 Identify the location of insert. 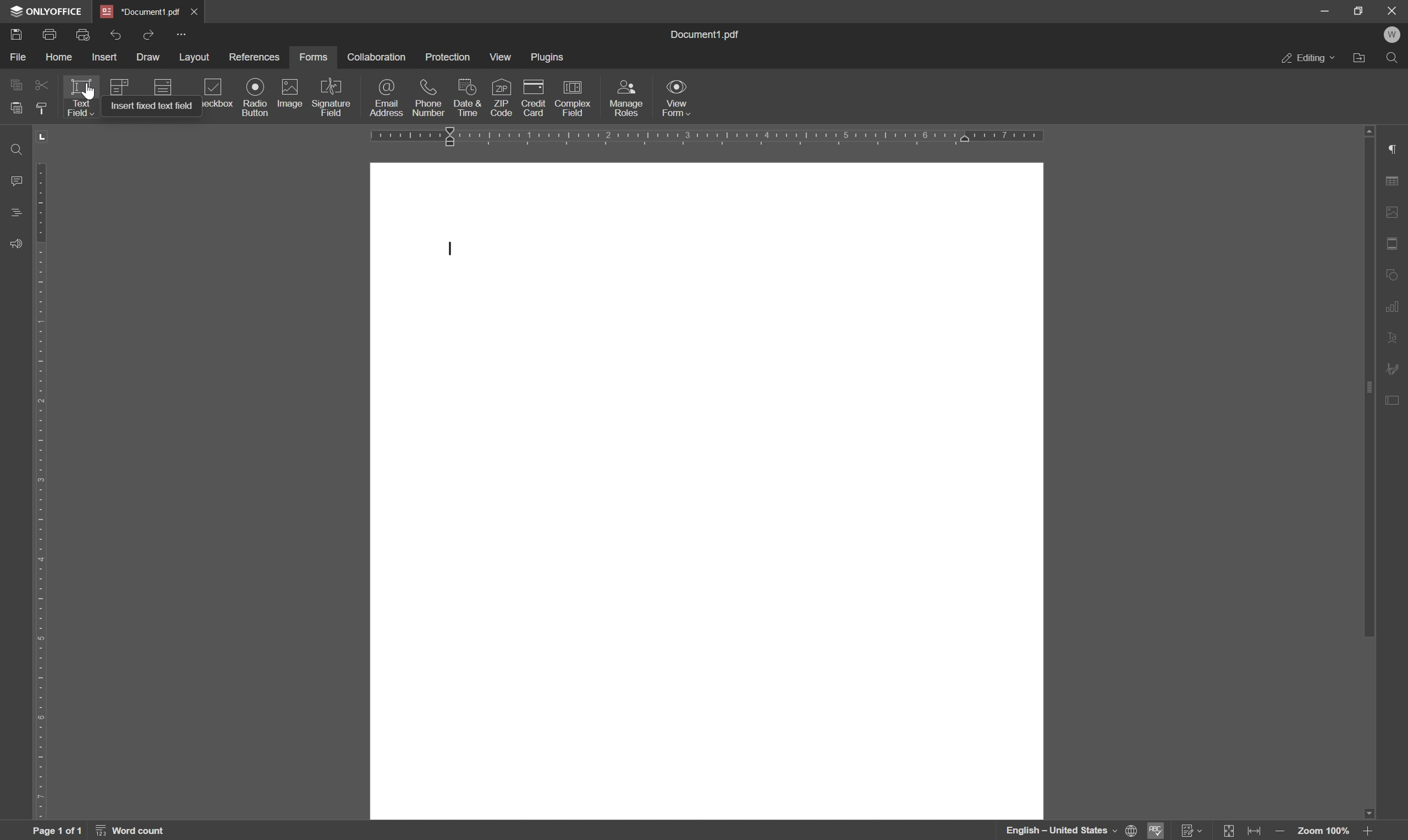
(109, 57).